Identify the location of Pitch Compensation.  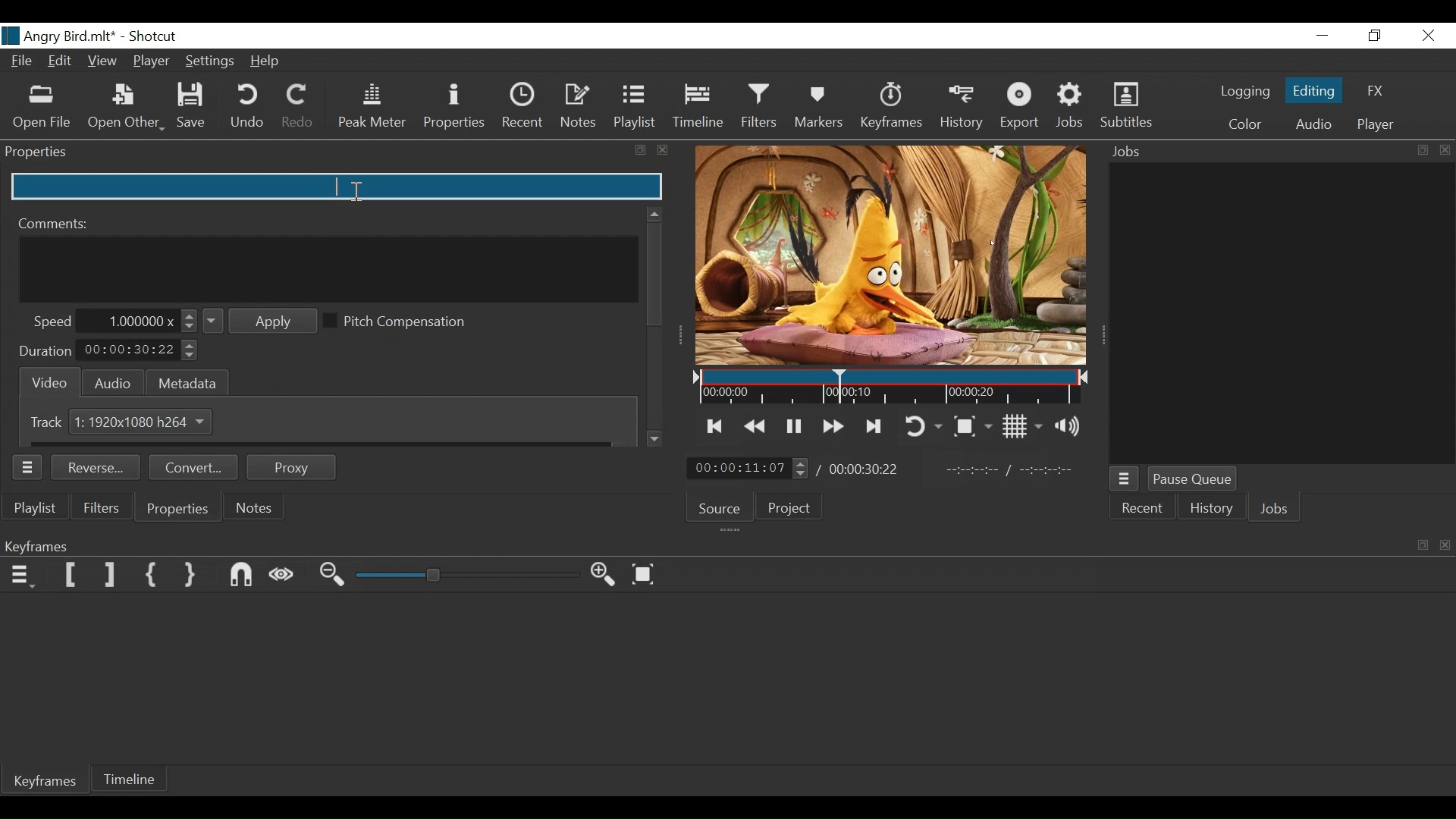
(401, 322).